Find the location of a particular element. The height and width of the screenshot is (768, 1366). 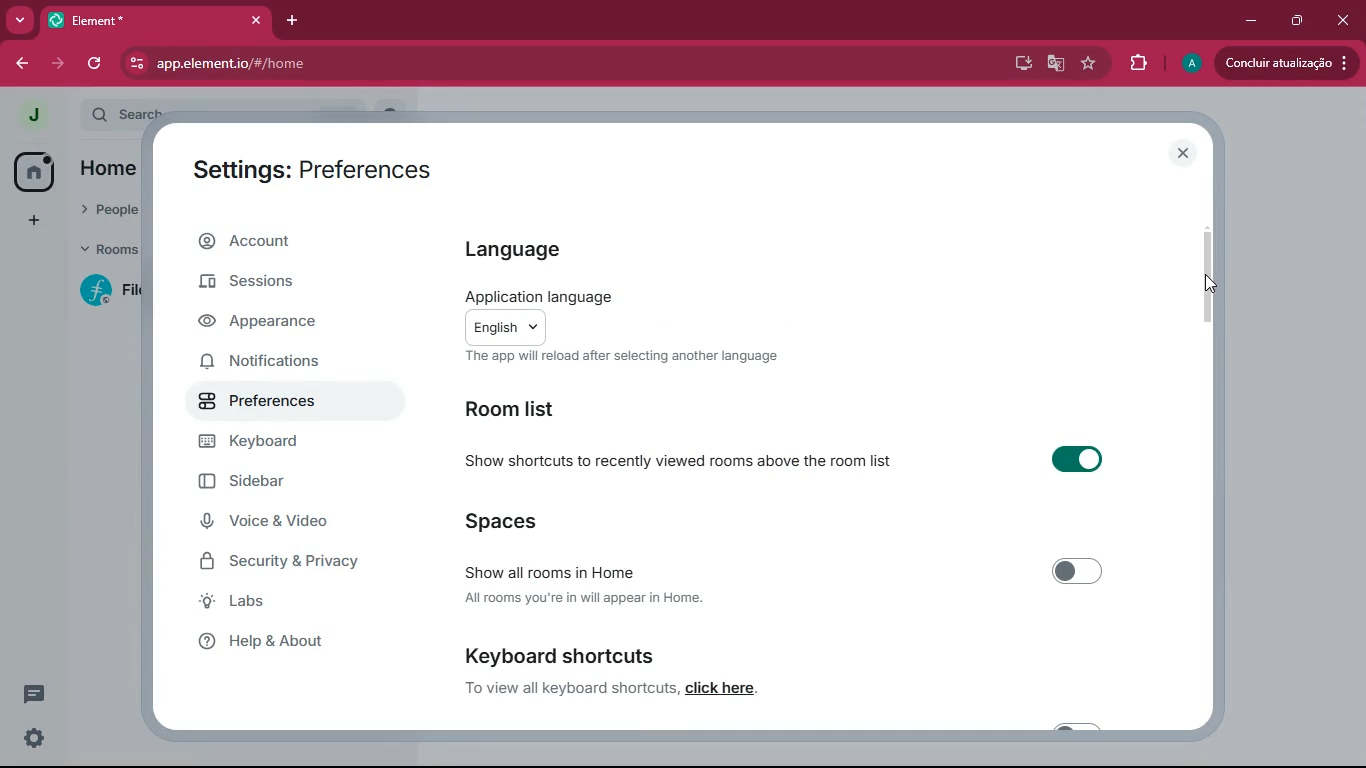

refresh is located at coordinates (99, 64).